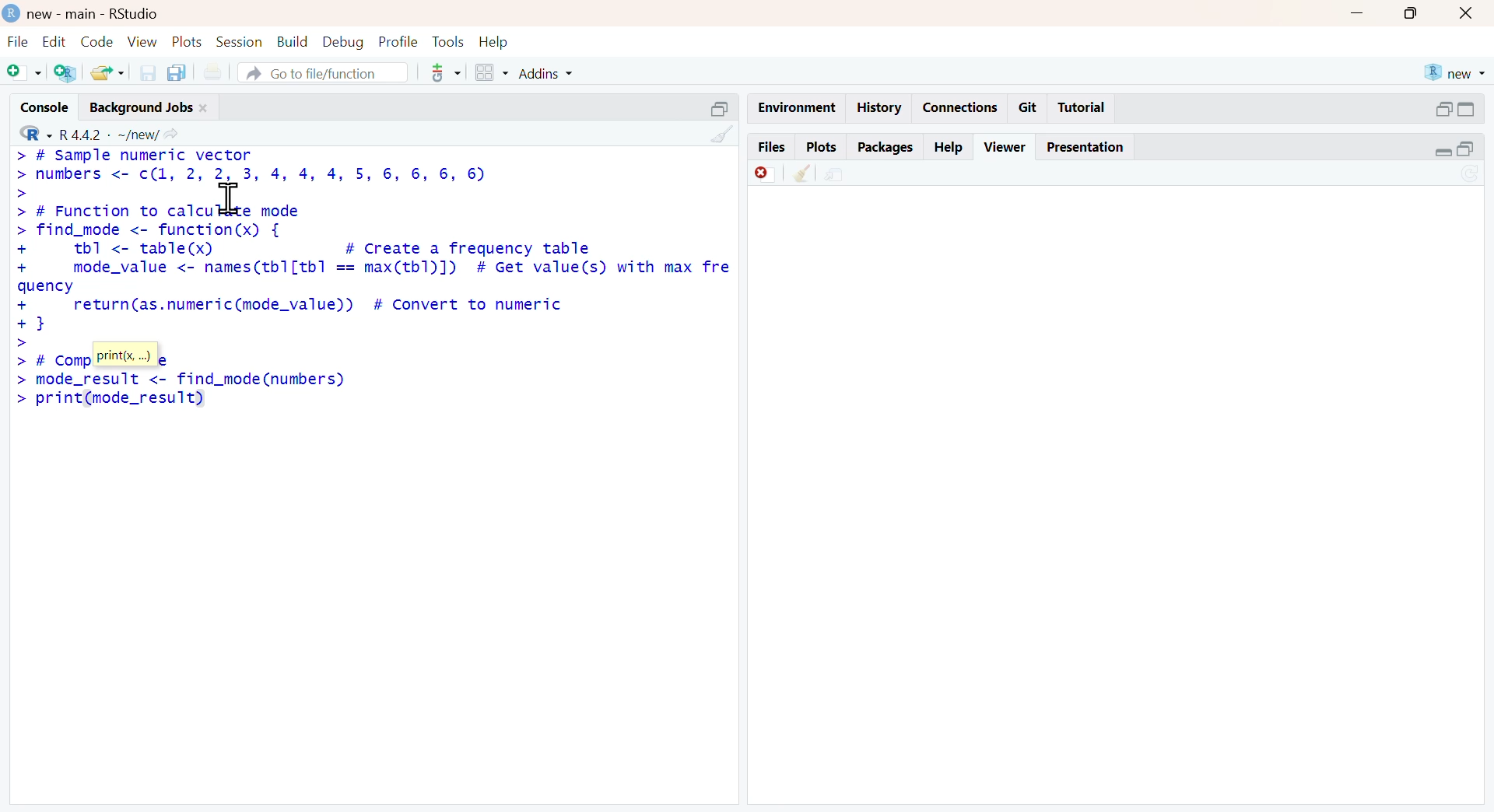  Describe the element at coordinates (766, 174) in the screenshot. I see `discard` at that location.